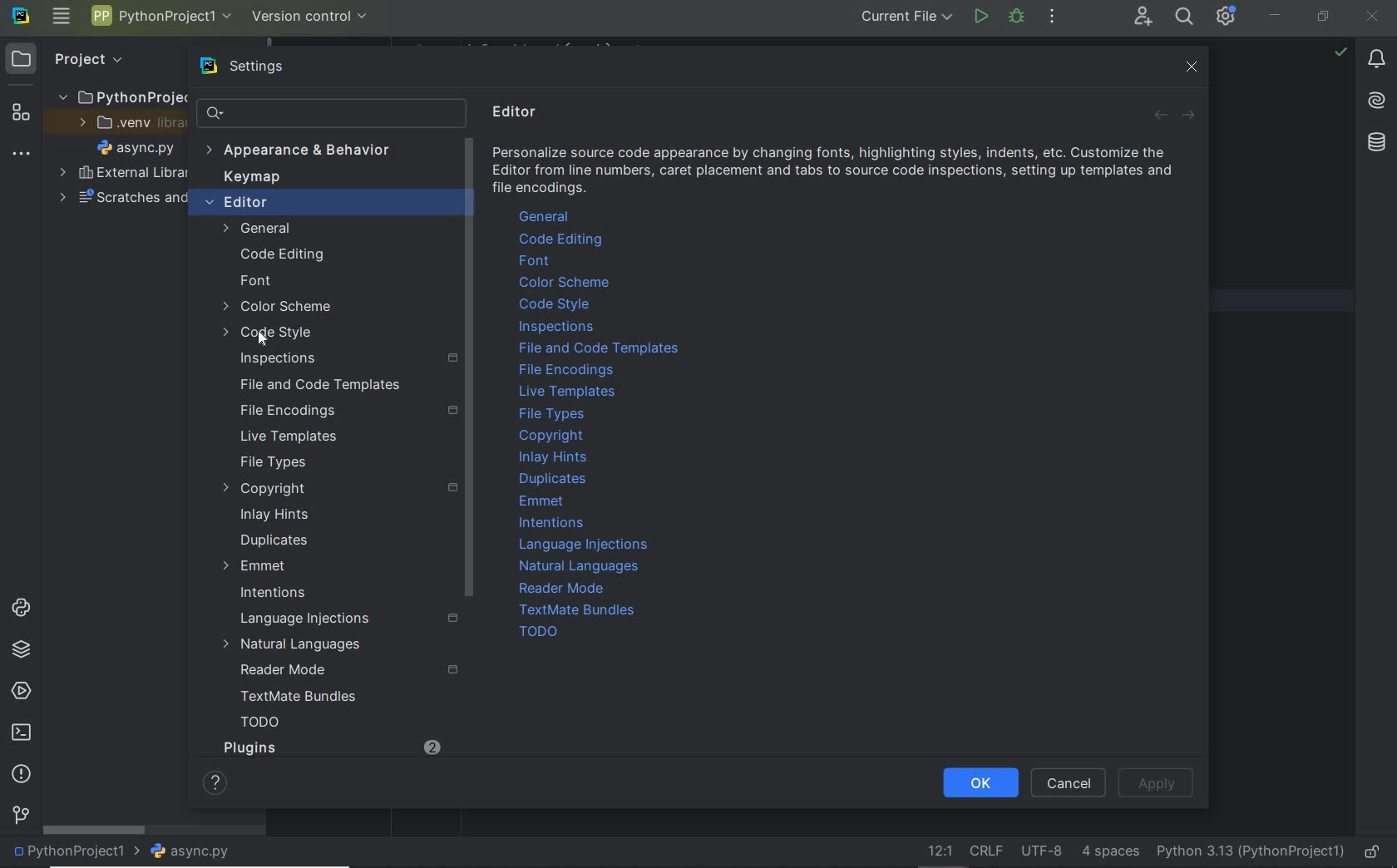 Image resolution: width=1397 pixels, height=868 pixels. What do you see at coordinates (980, 16) in the screenshot?
I see `run` at bounding box center [980, 16].